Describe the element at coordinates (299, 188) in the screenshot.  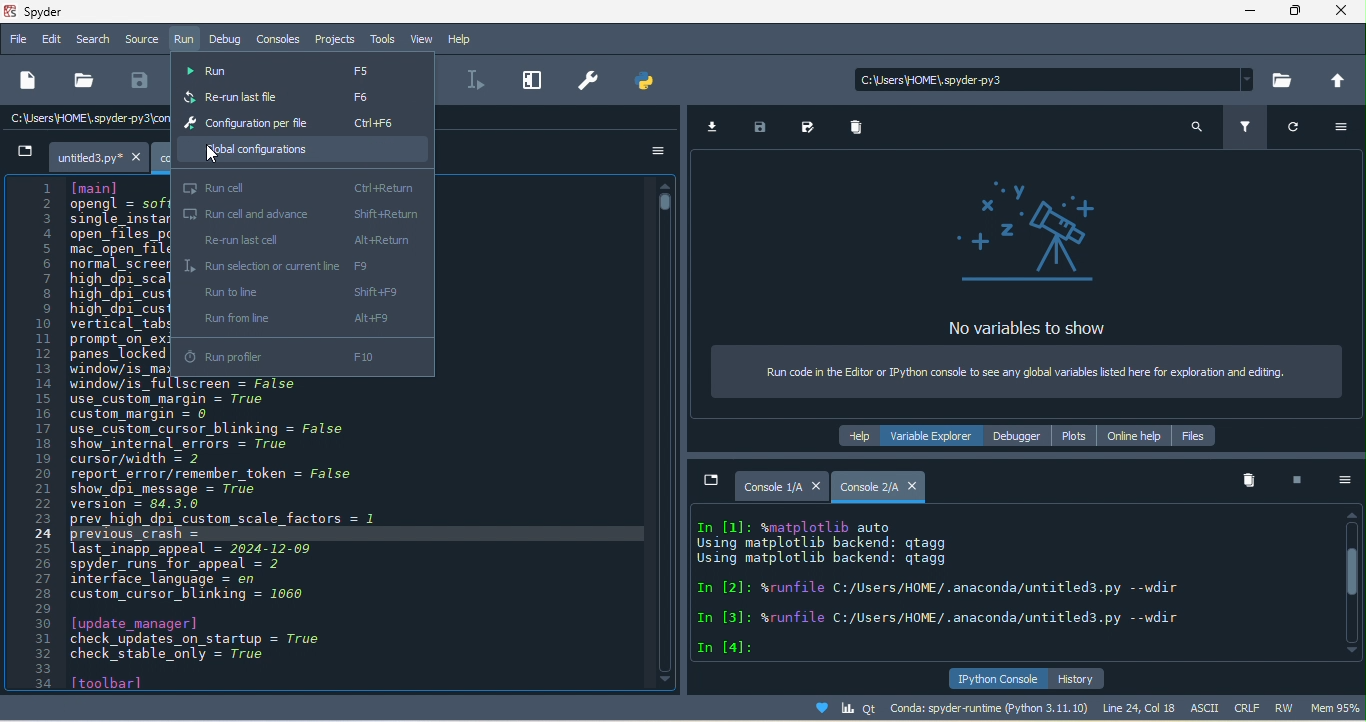
I see `run cell` at that location.